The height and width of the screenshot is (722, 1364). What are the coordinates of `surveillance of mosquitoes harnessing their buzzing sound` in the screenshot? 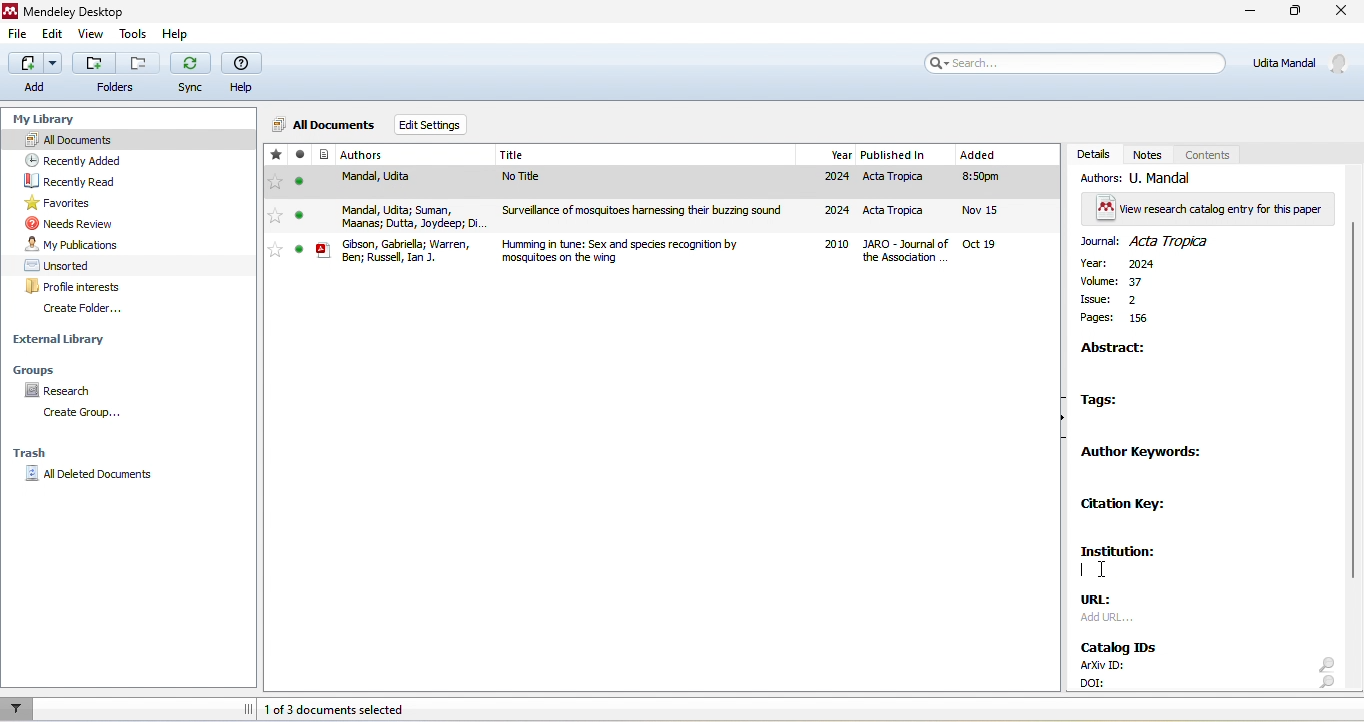 It's located at (649, 214).